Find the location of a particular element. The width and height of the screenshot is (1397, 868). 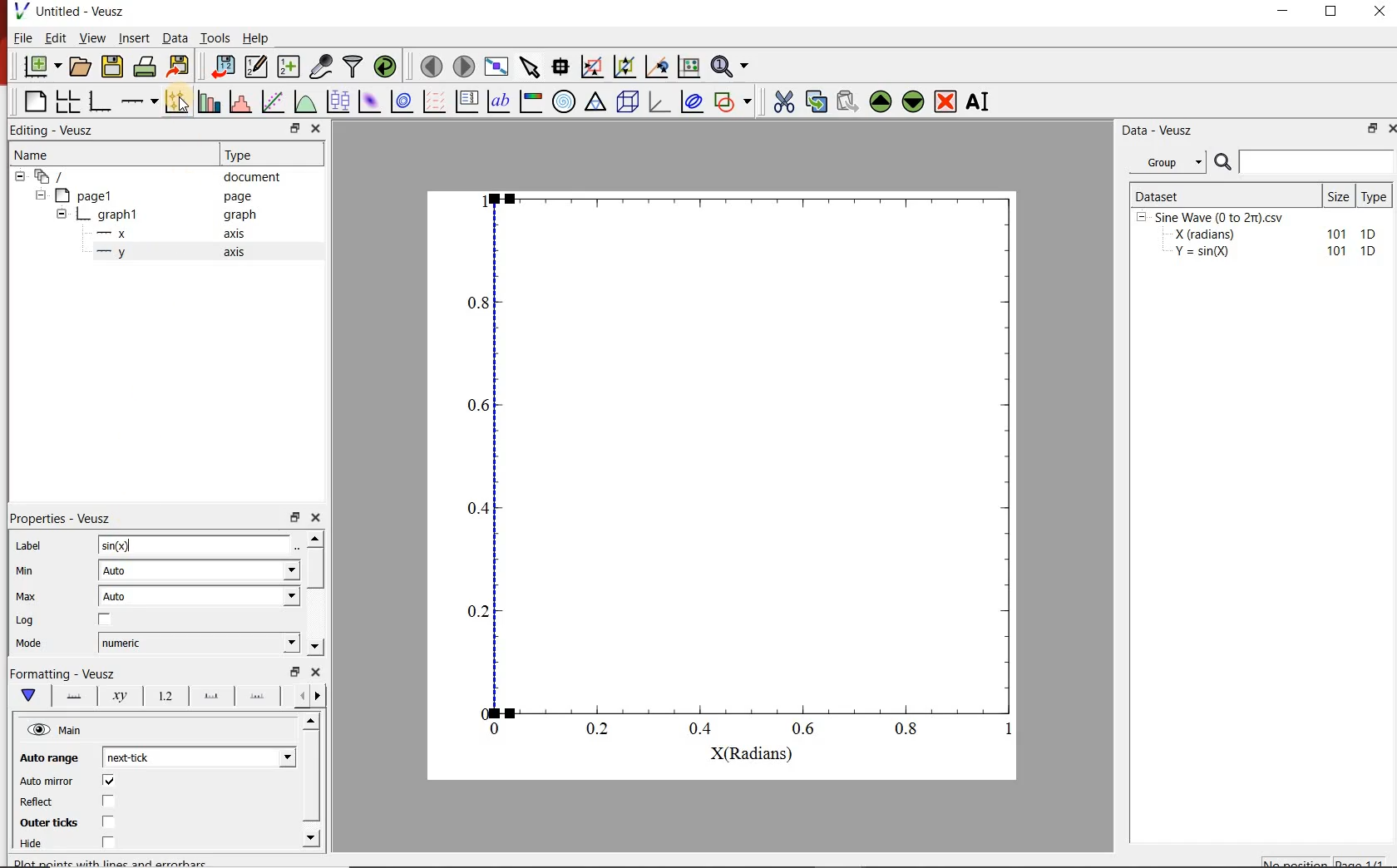

Up is located at coordinates (315, 538).